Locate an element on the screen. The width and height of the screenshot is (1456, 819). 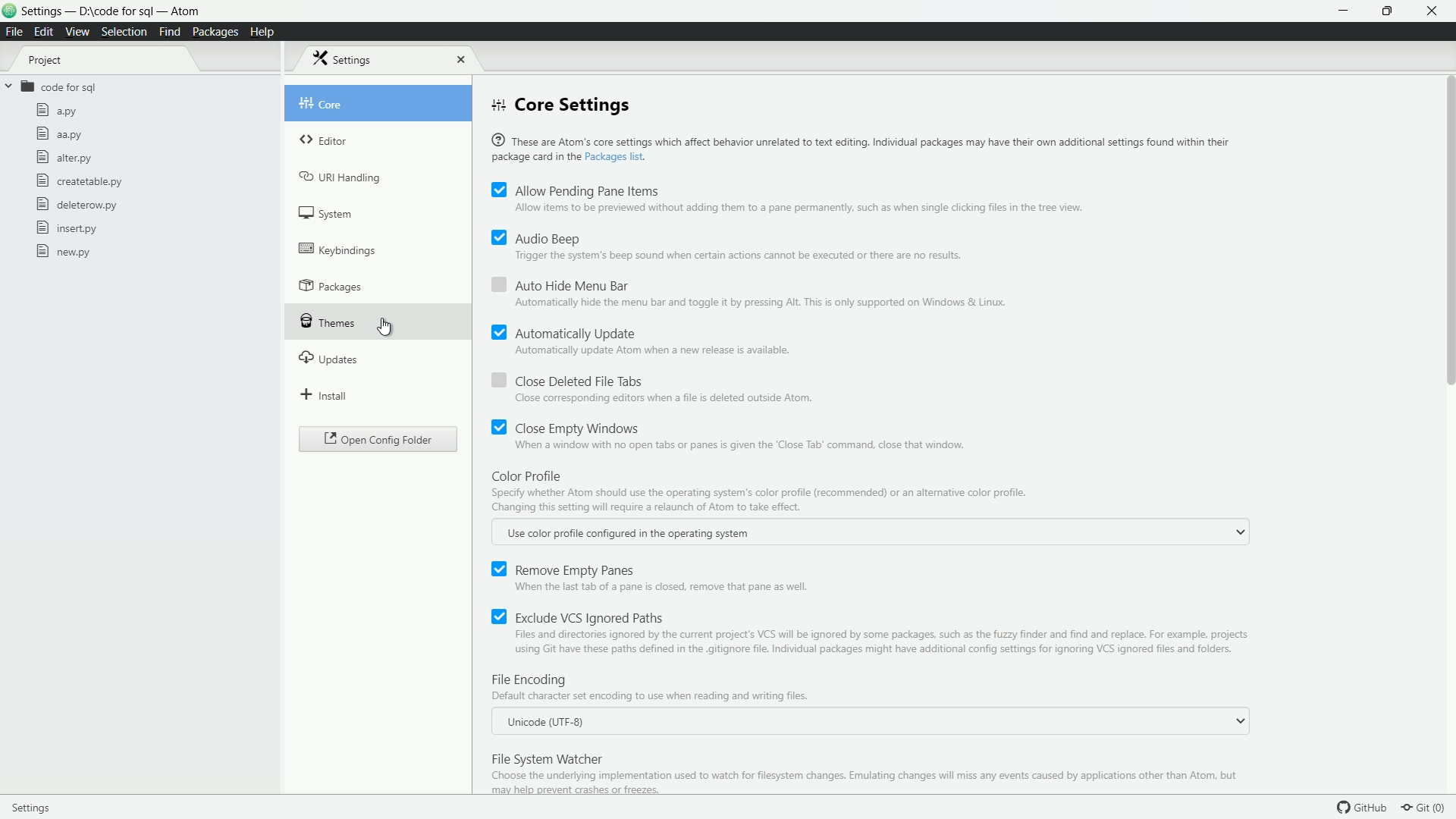
createtable.py file is located at coordinates (77, 180).